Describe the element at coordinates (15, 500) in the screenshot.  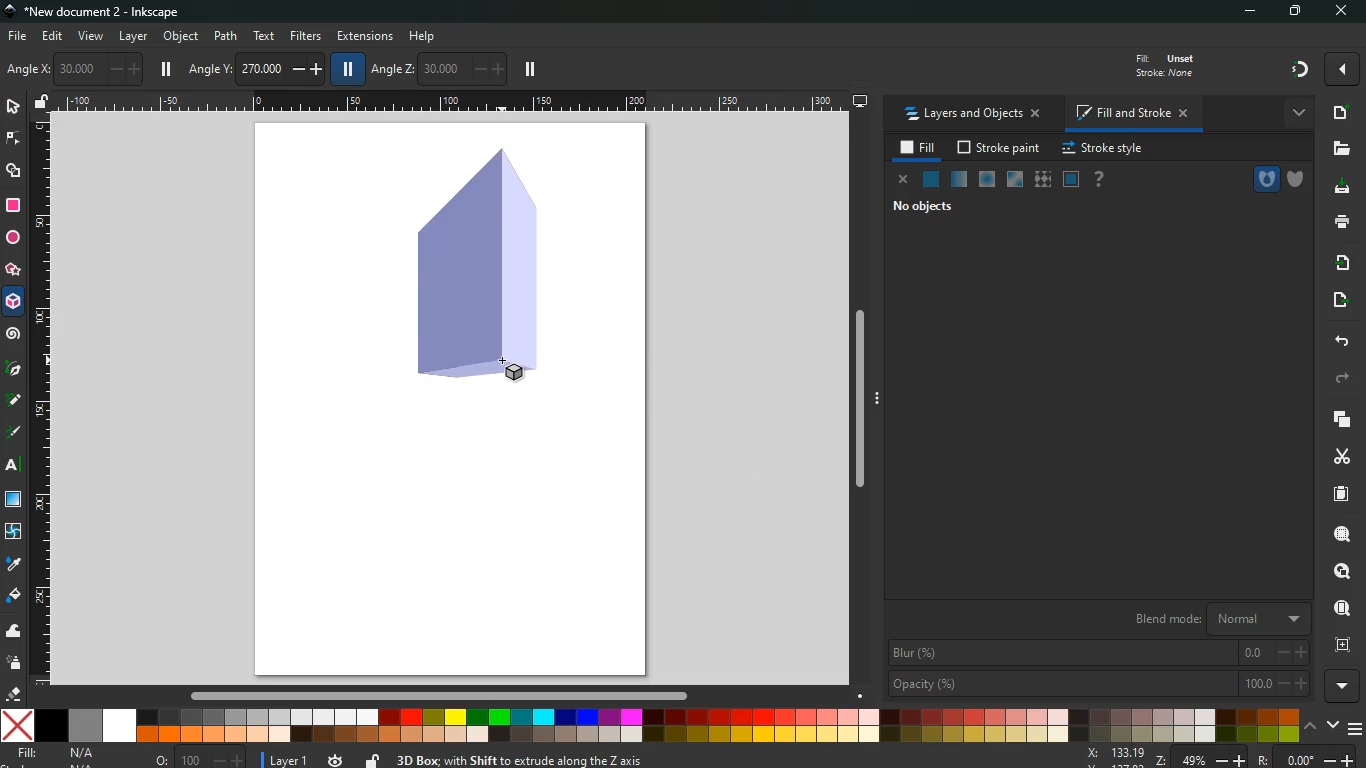
I see `window` at that location.